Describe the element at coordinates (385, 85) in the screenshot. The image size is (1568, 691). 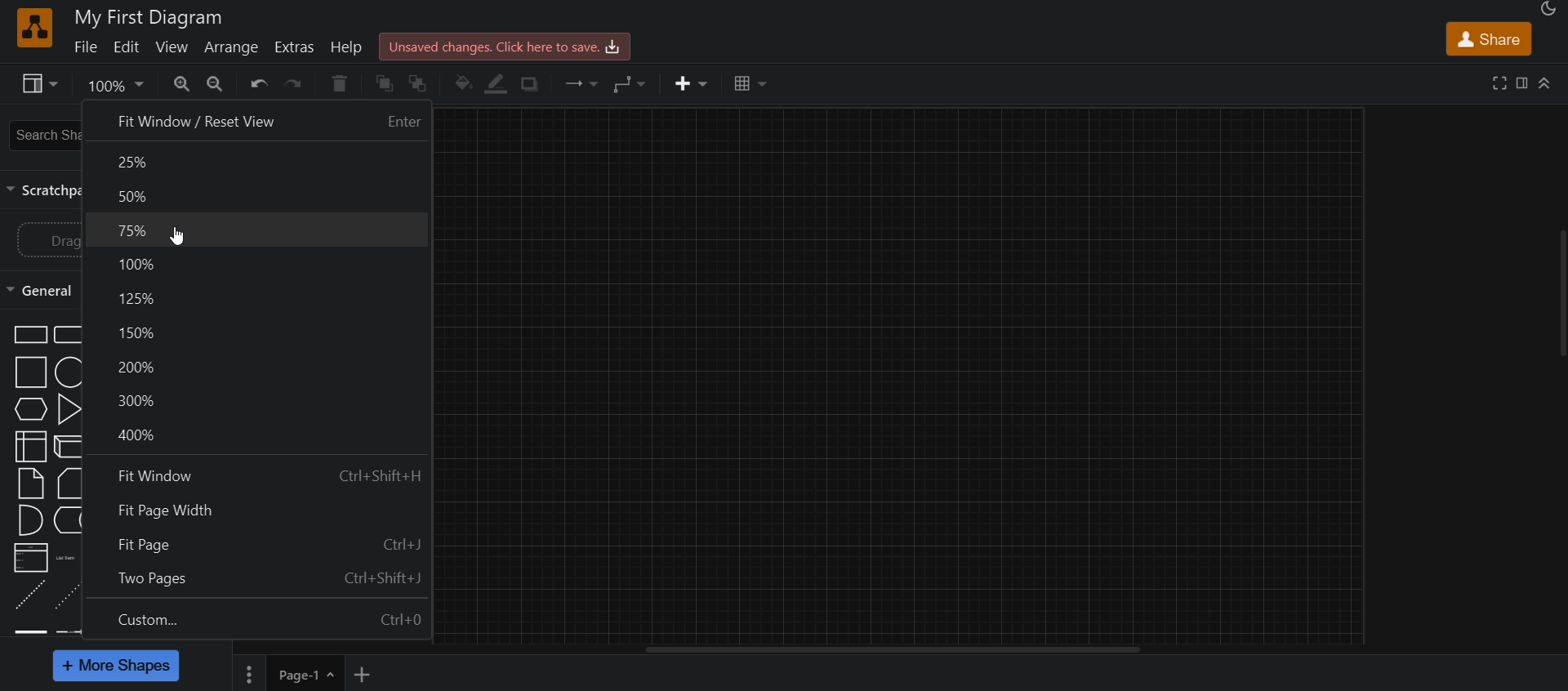
I see `to front` at that location.